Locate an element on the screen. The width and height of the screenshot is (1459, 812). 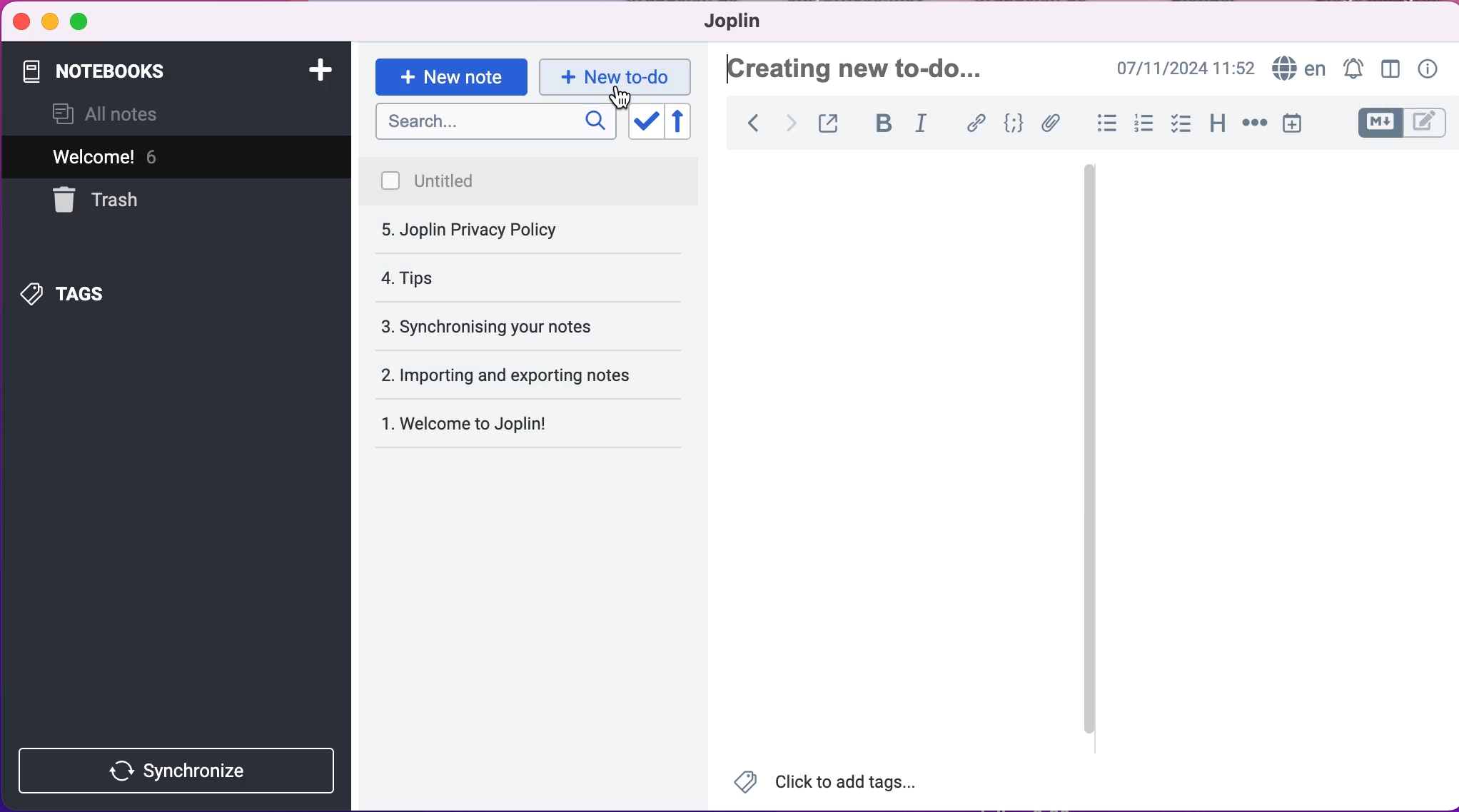
new note is located at coordinates (450, 76).